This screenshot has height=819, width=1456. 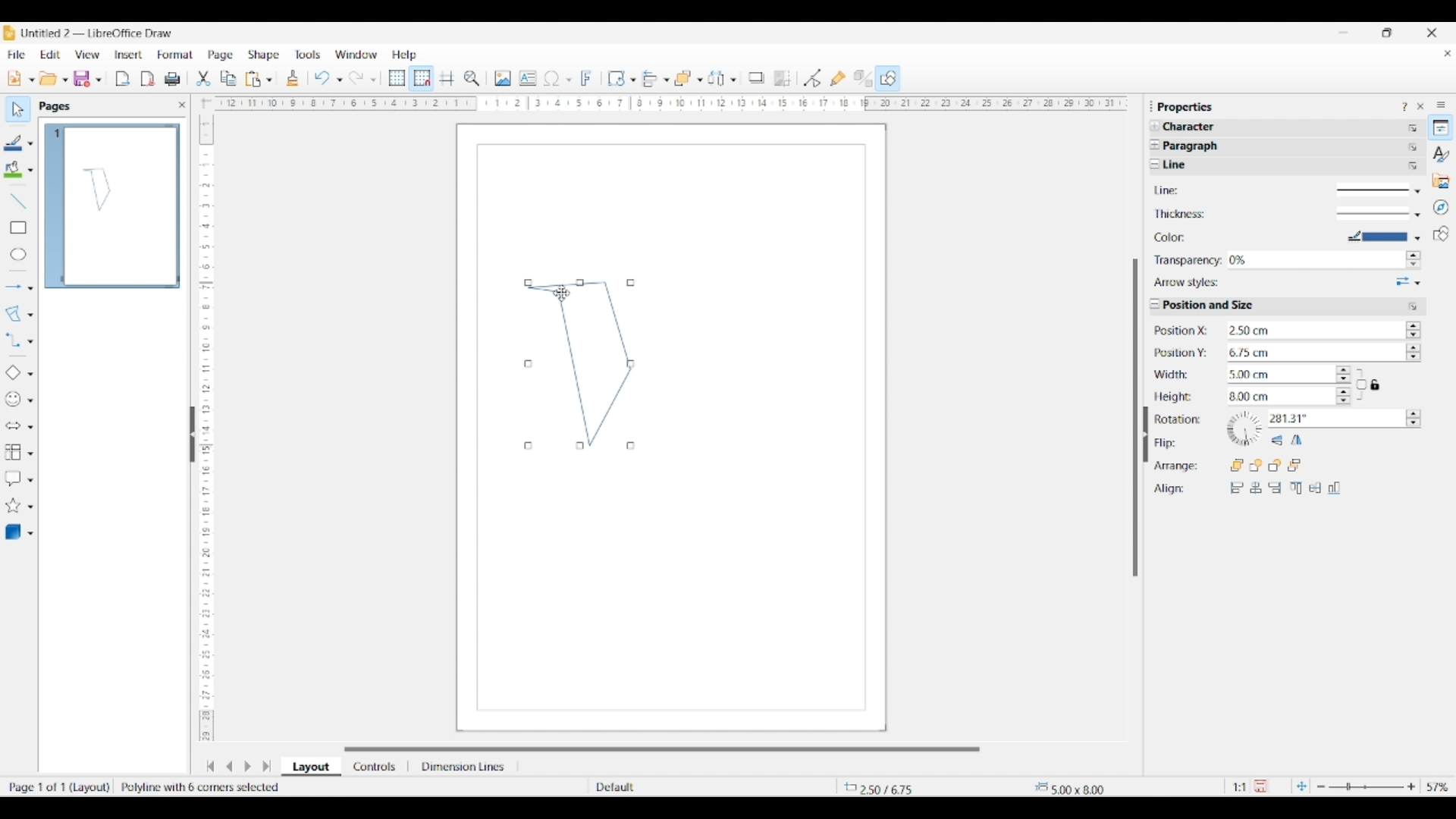 What do you see at coordinates (13, 506) in the screenshot?
I see `Selected star` at bounding box center [13, 506].